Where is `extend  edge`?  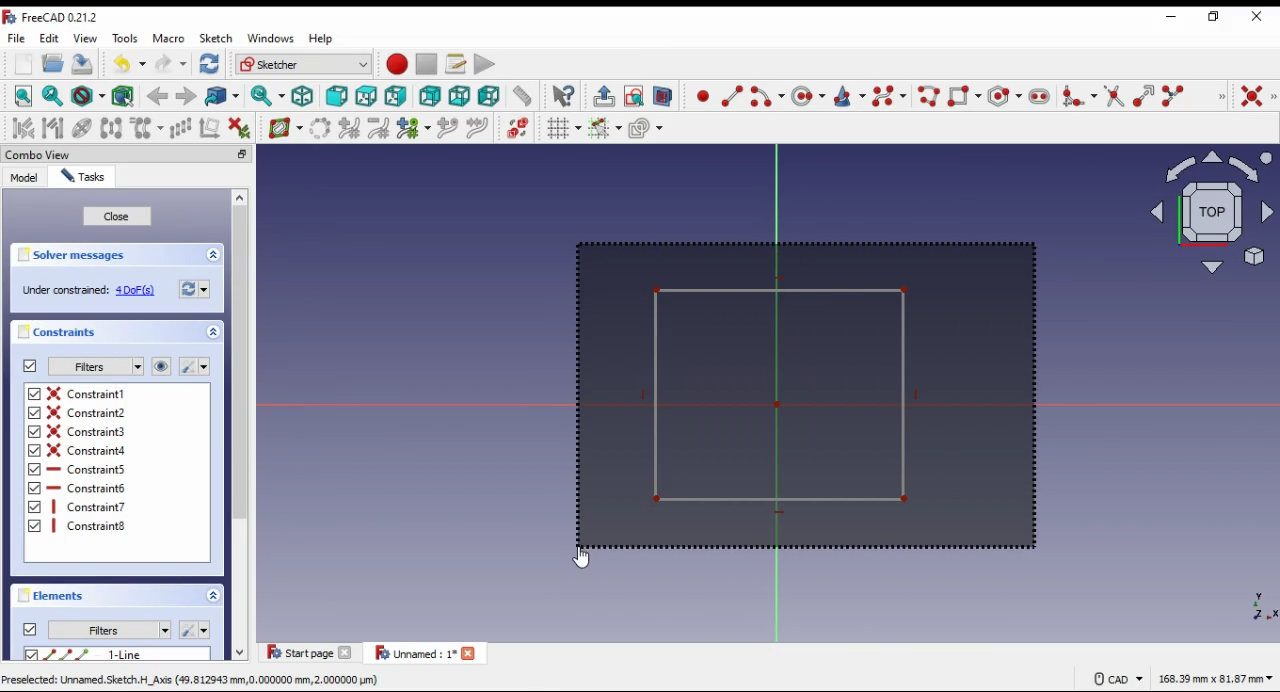
extend  edge is located at coordinates (1143, 95).